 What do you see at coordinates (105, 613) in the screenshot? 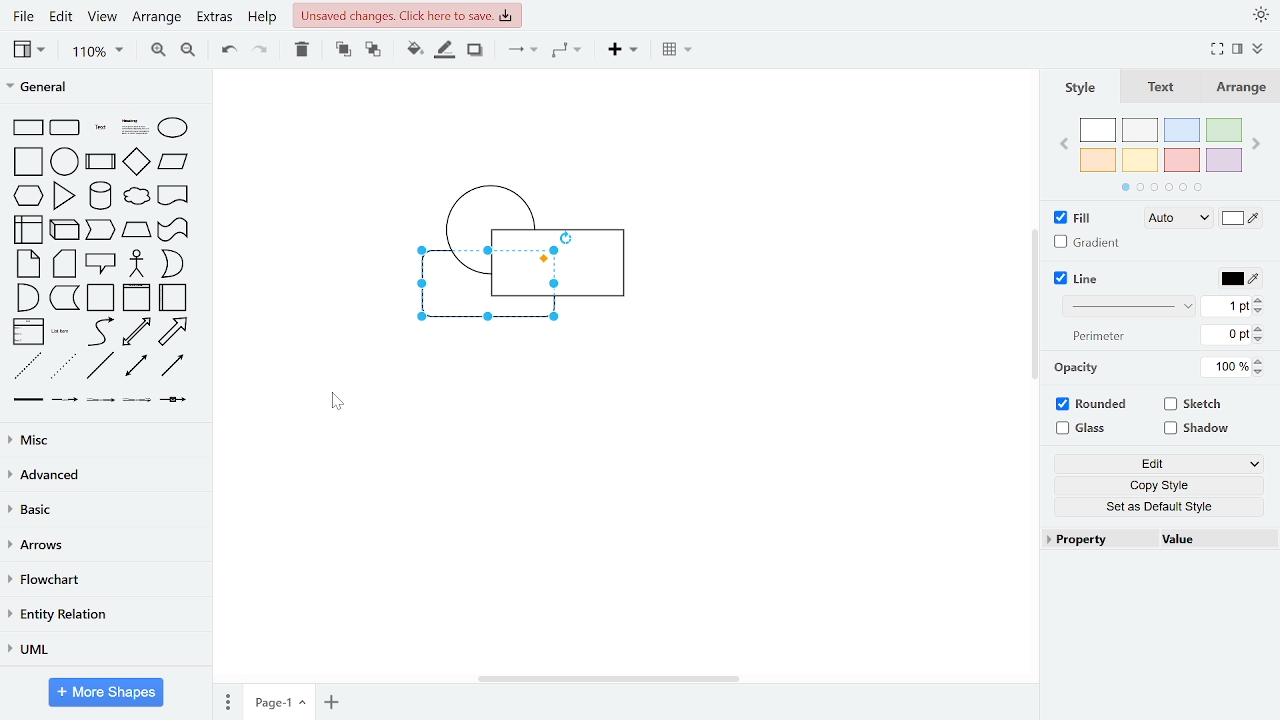
I see `entity relation` at bounding box center [105, 613].